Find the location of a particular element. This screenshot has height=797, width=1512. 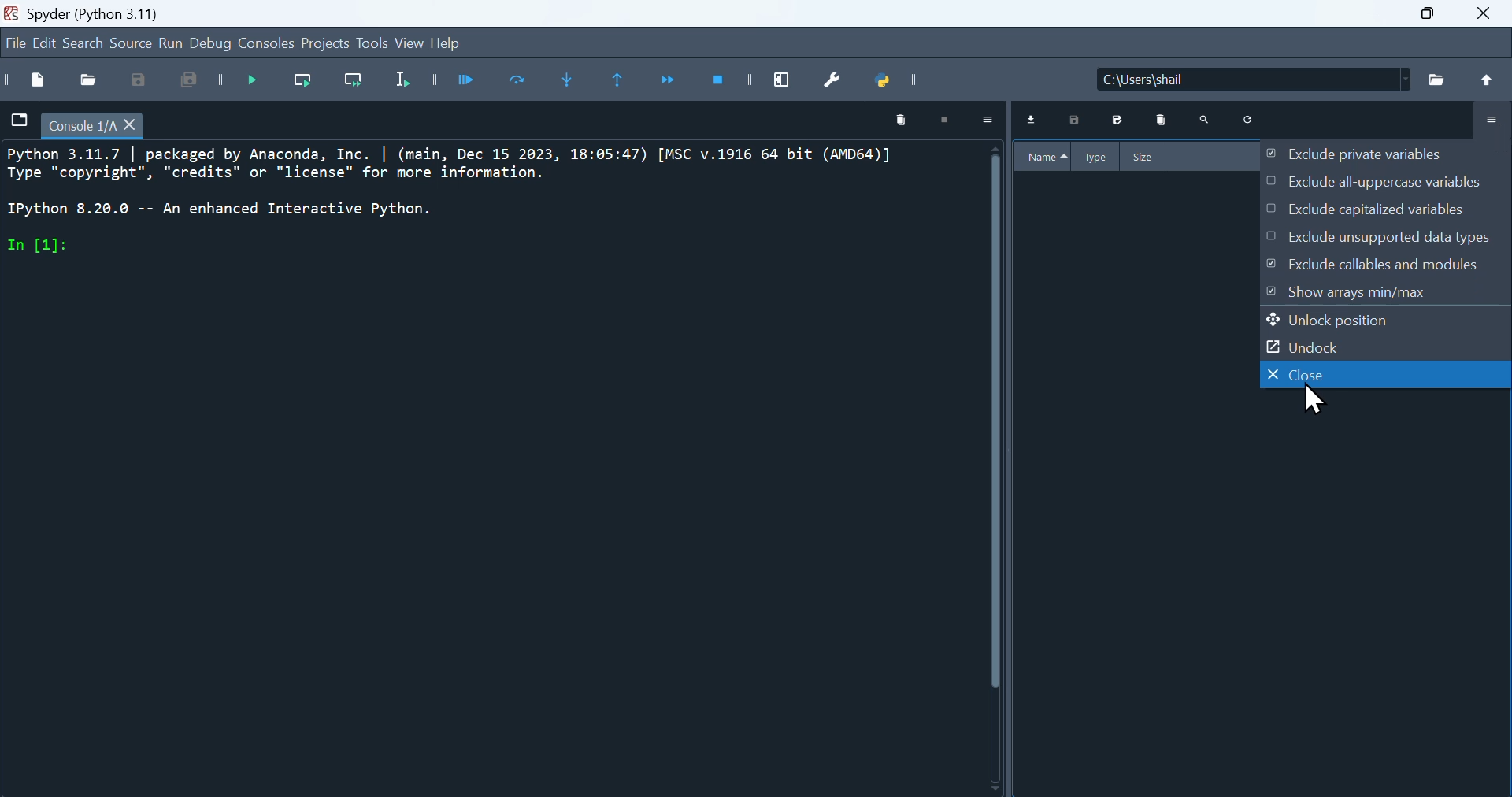

Refresh is located at coordinates (1251, 121).